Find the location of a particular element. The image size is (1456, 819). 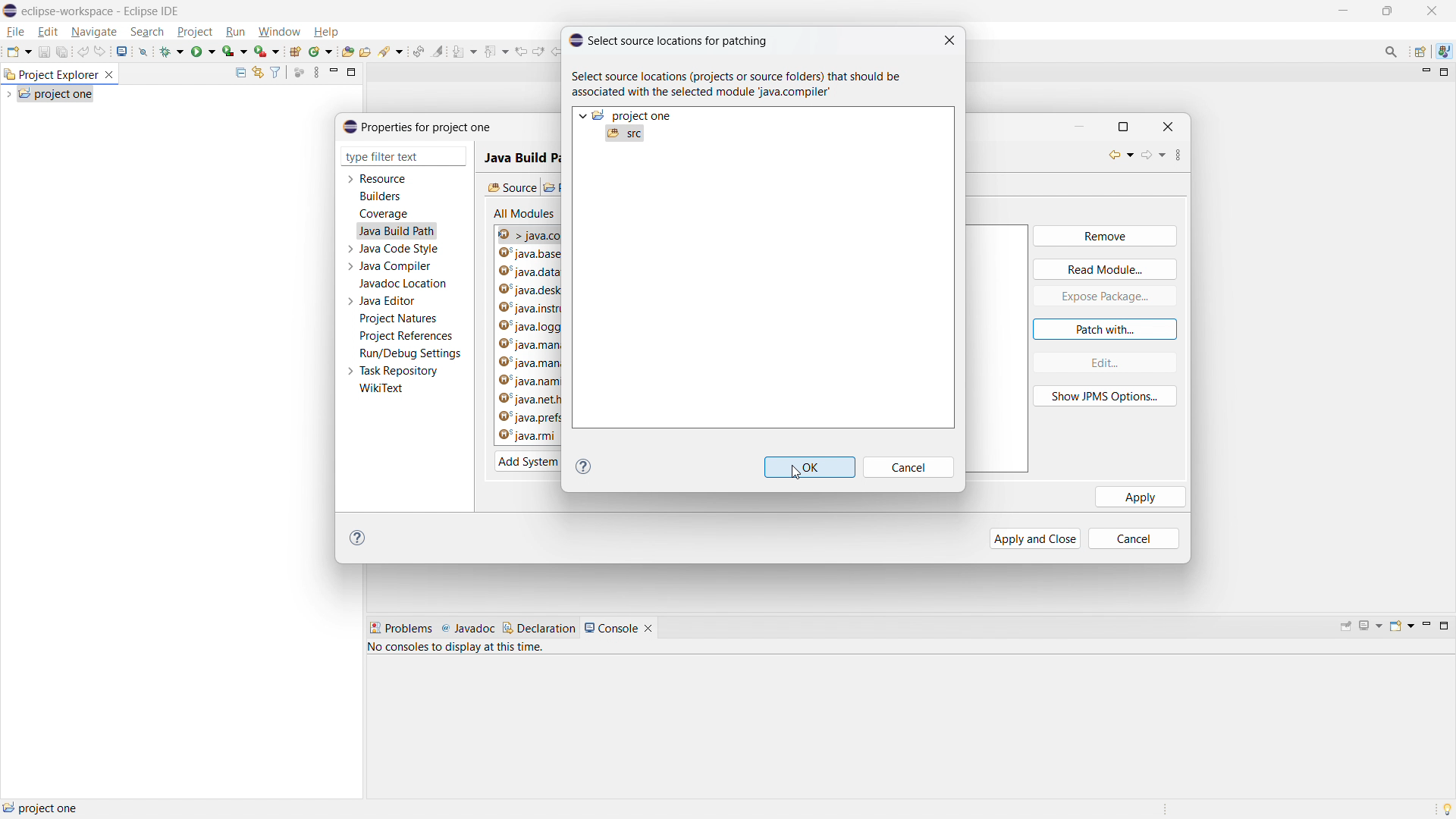

file is located at coordinates (16, 32).